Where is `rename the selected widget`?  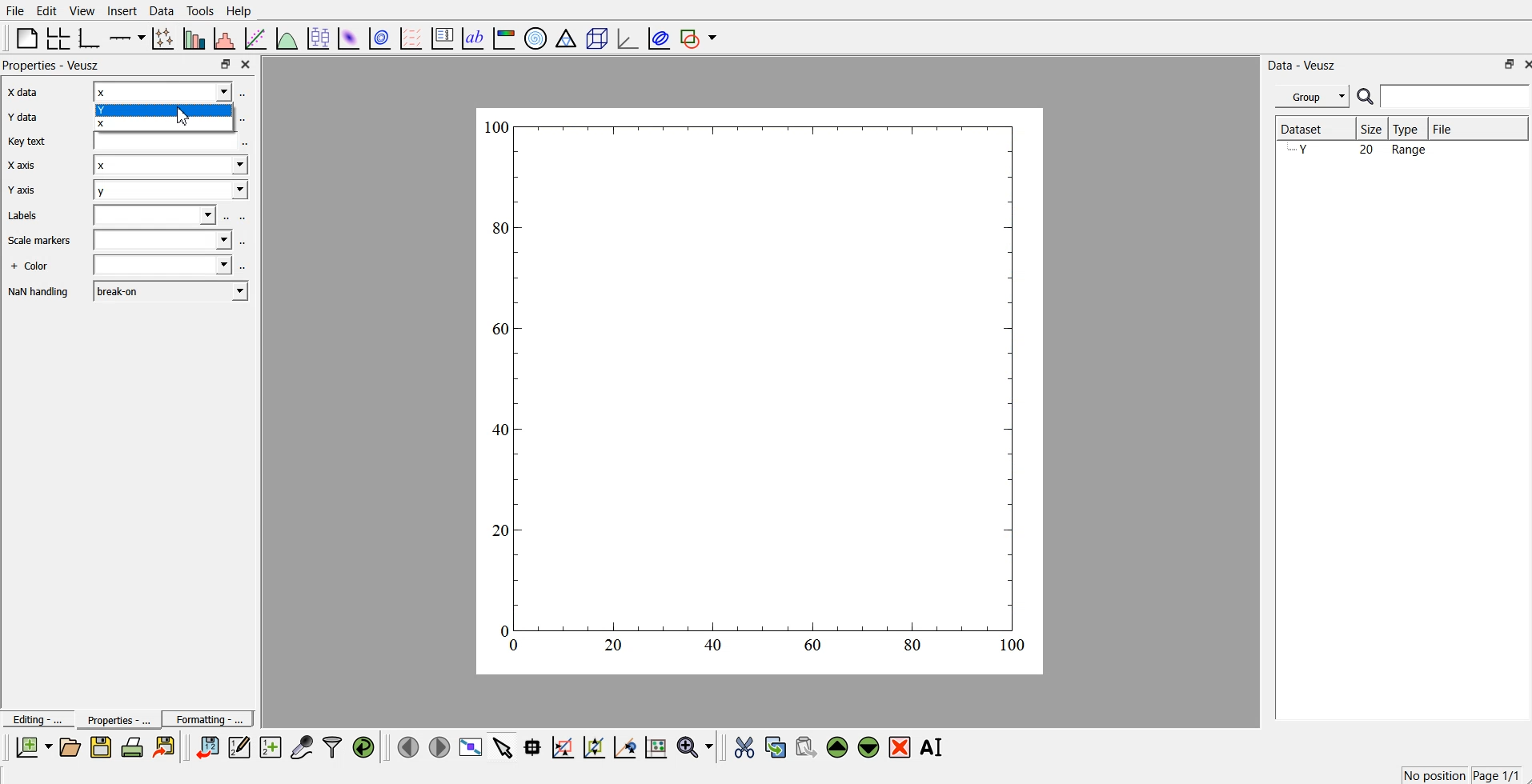 rename the selected widget is located at coordinates (932, 747).